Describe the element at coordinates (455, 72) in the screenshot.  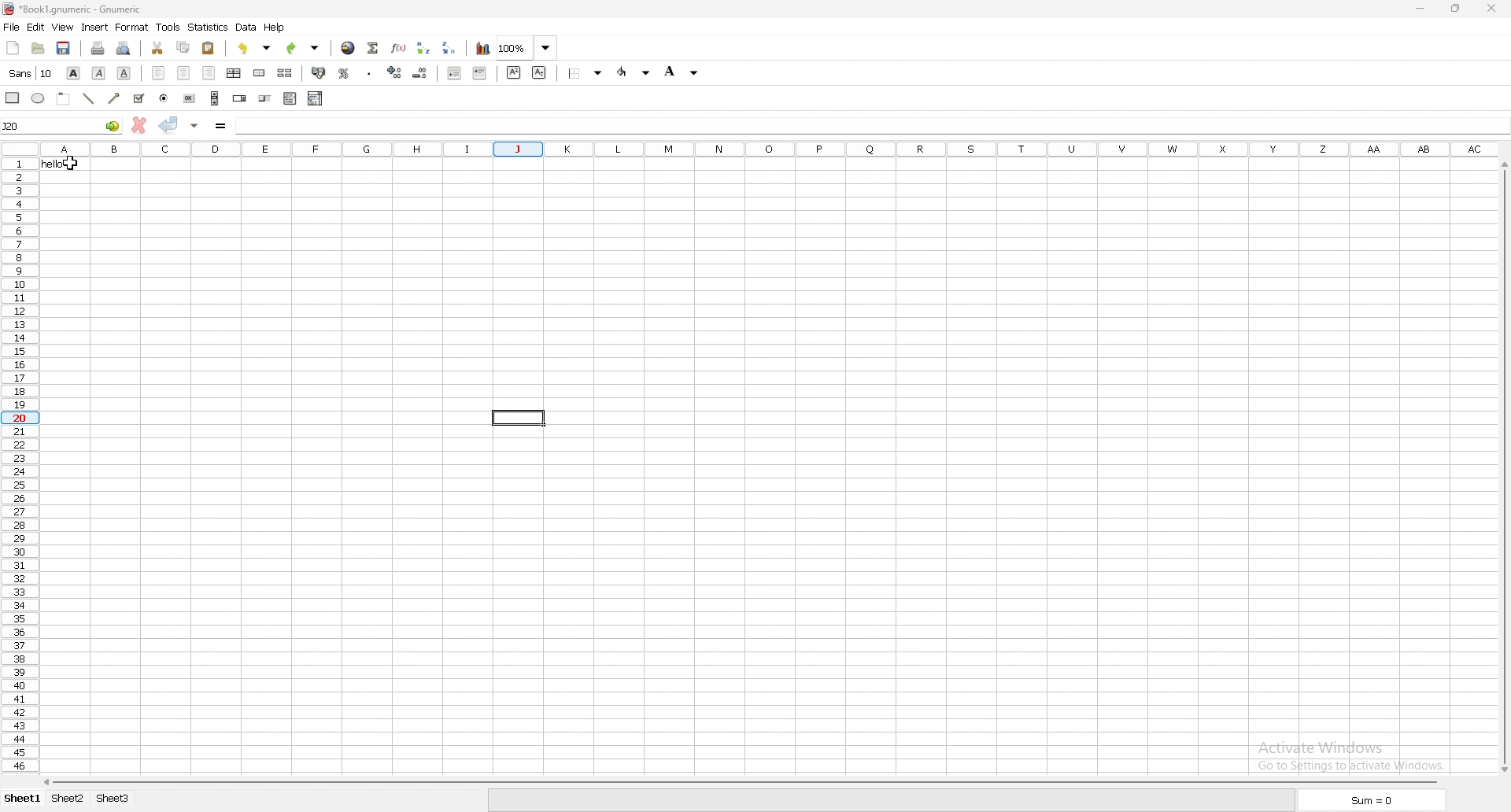
I see `decrease indent` at that location.